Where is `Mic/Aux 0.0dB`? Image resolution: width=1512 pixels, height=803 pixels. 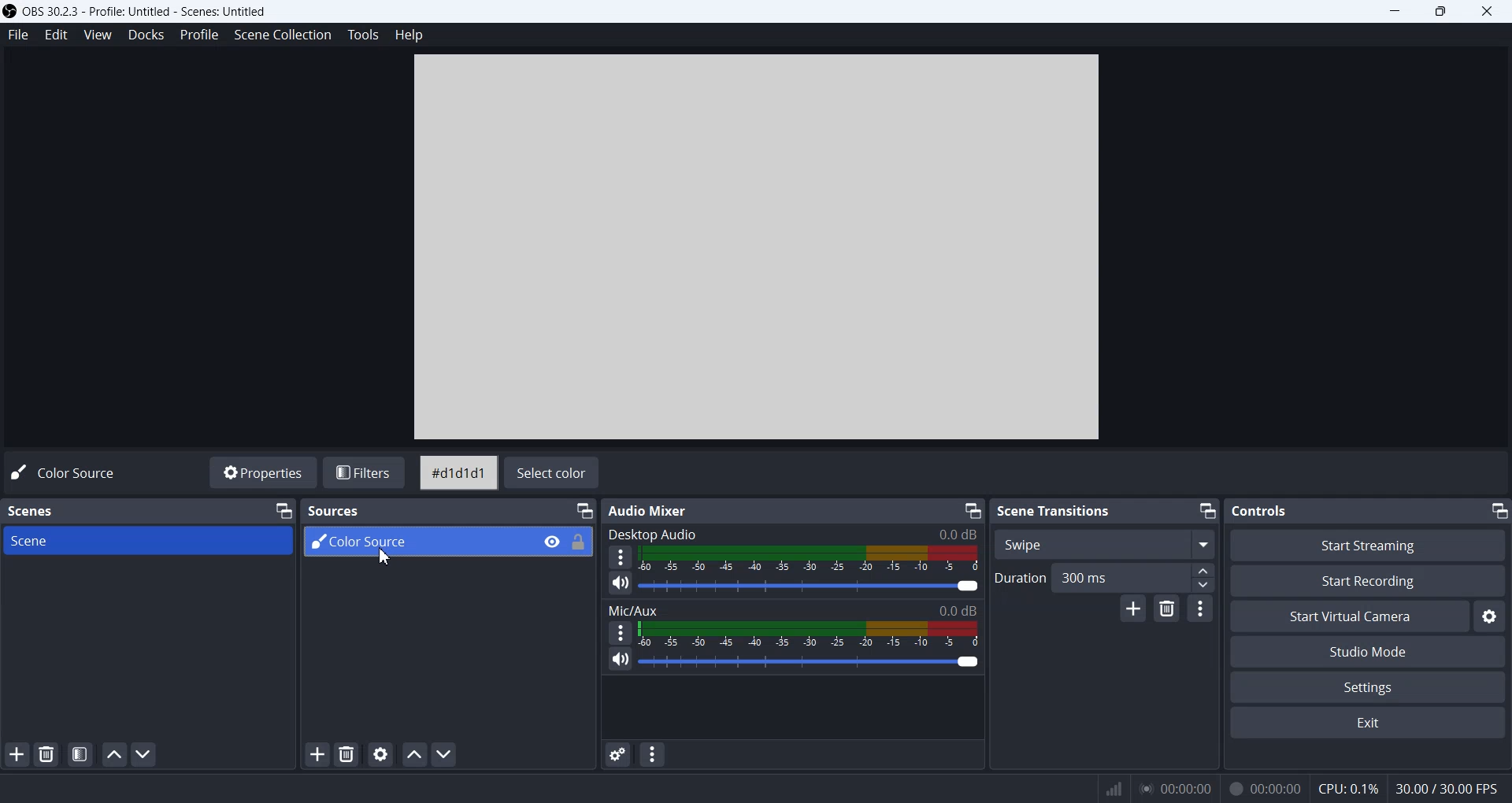 Mic/Aux 0.0dB is located at coordinates (792, 608).